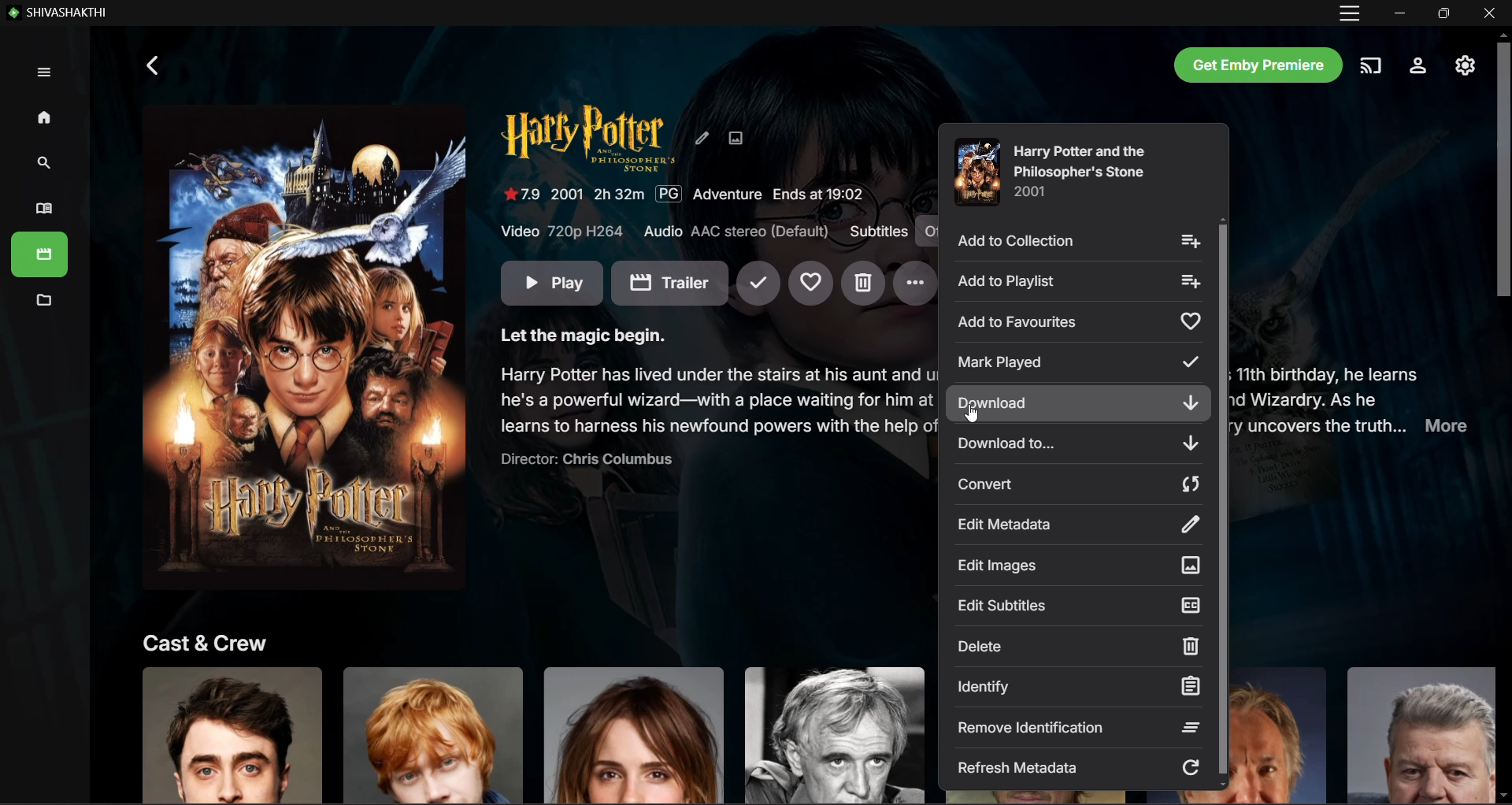 The height and width of the screenshot is (805, 1512). I want to click on Close, so click(1489, 13).